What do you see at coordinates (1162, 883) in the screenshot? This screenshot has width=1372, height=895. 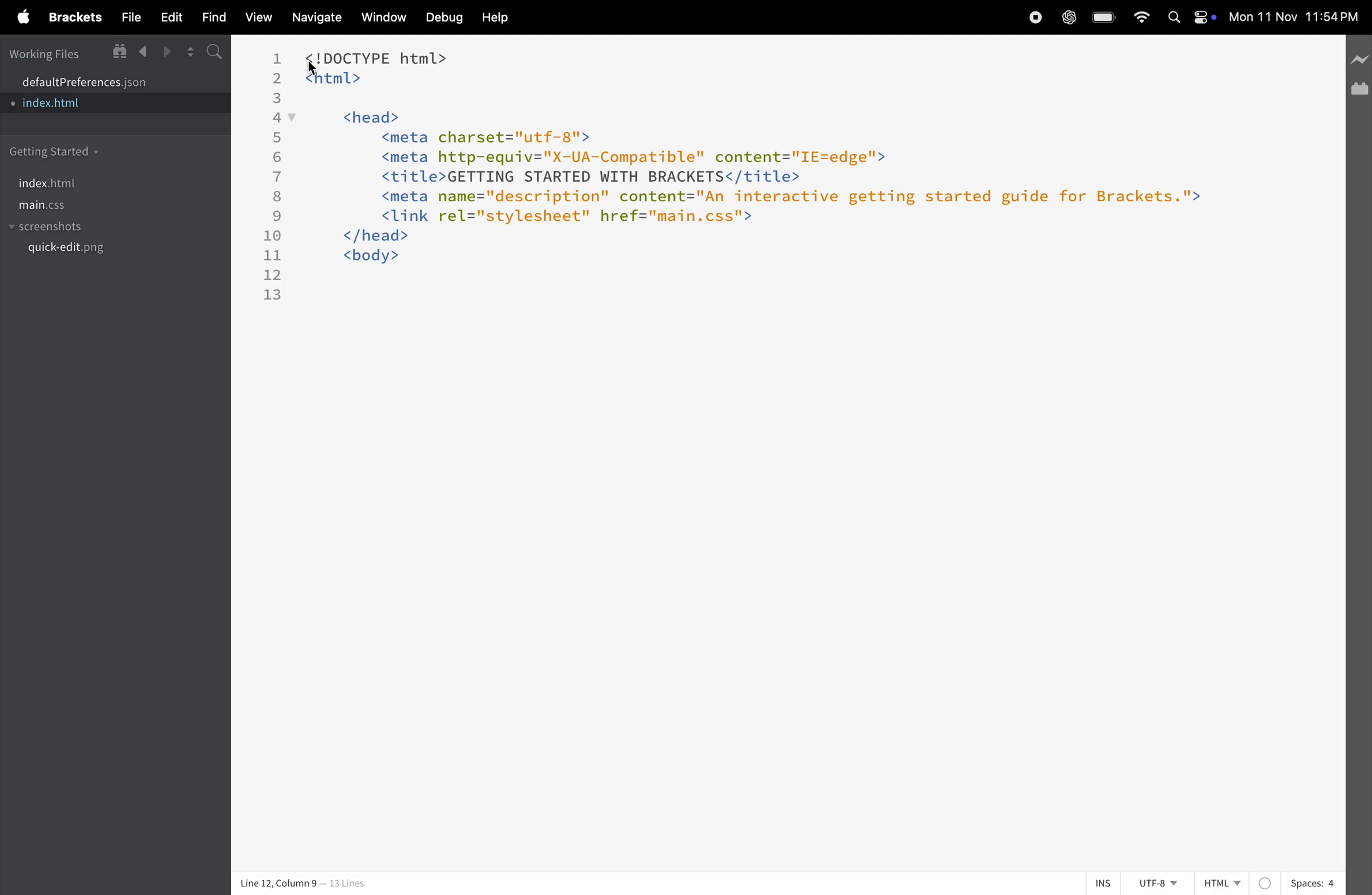 I see `utf -8` at bounding box center [1162, 883].